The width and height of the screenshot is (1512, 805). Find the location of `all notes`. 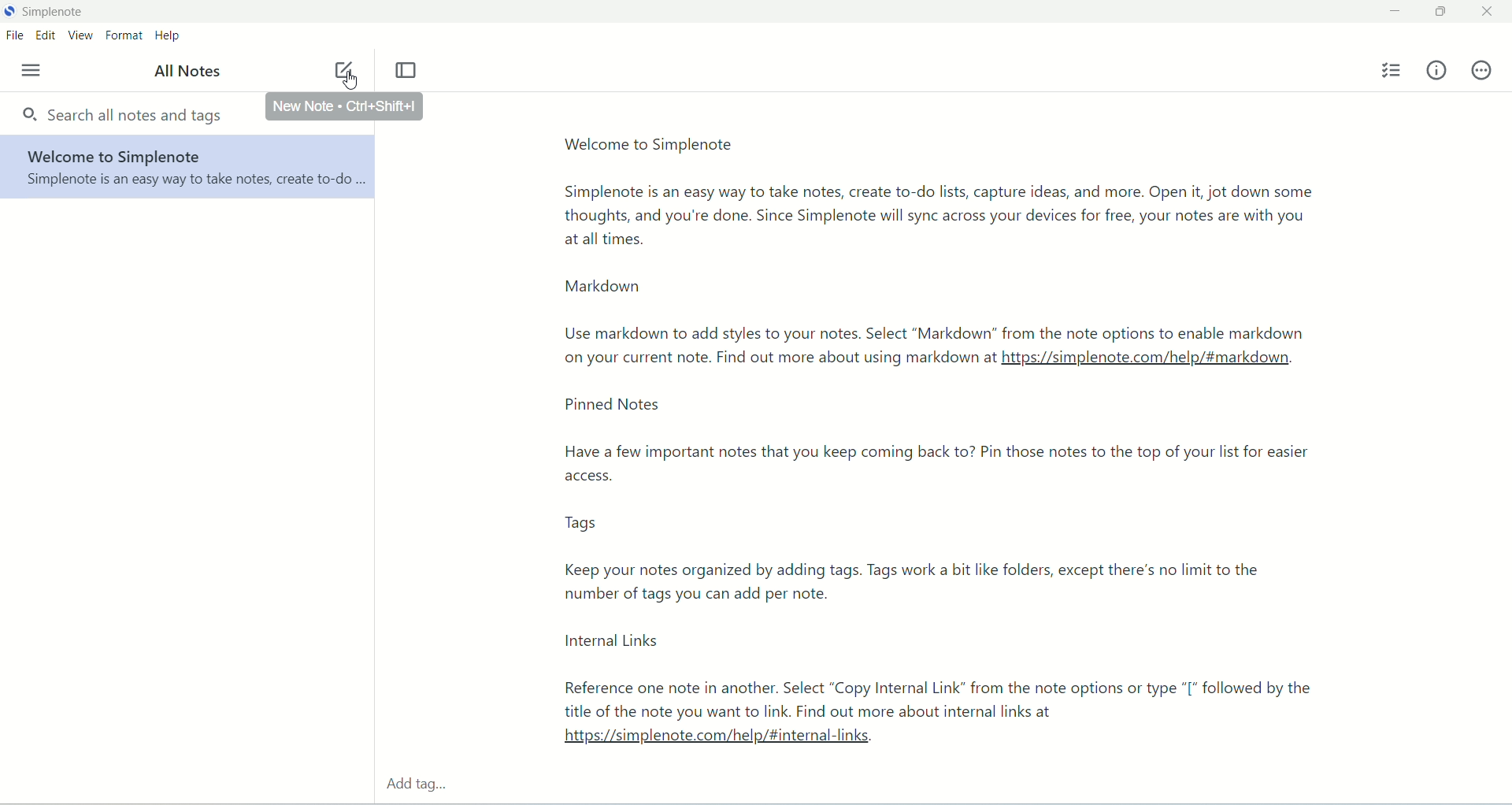

all notes is located at coordinates (186, 72).